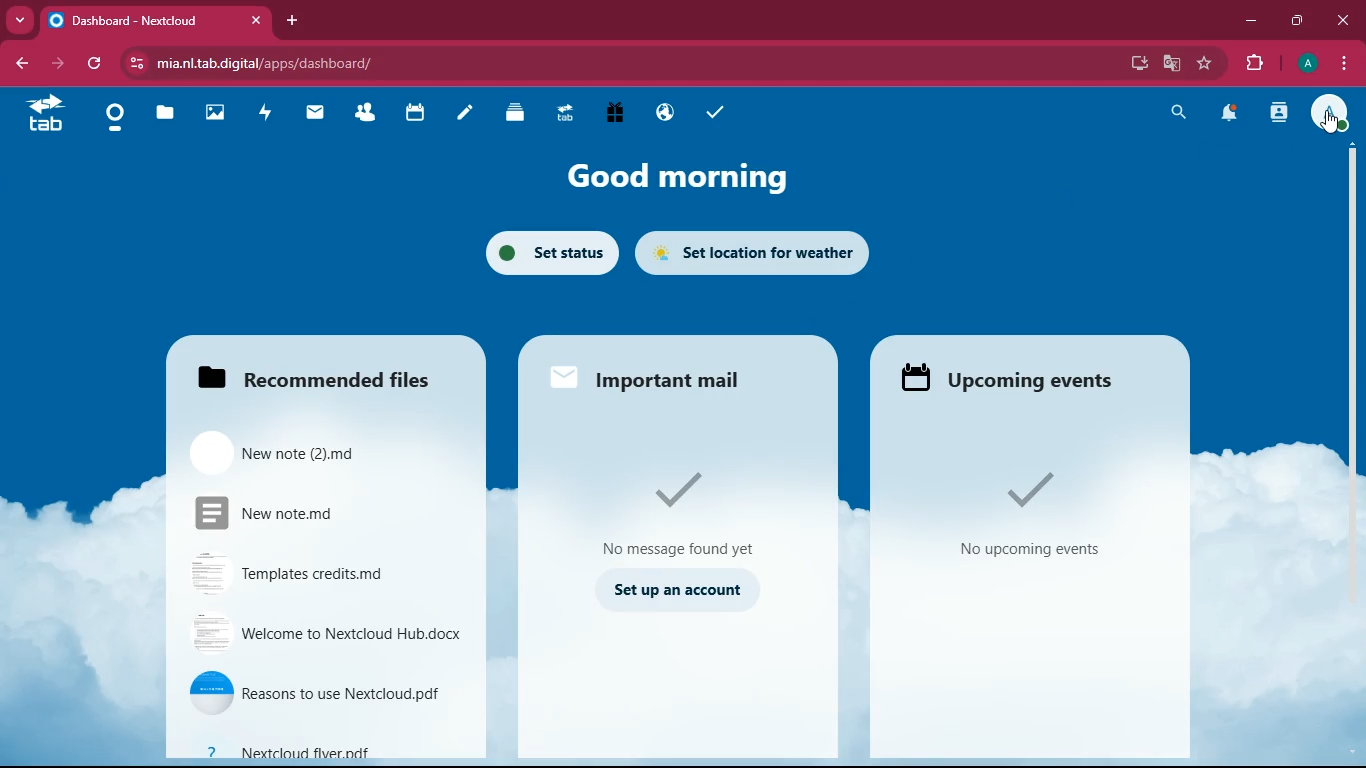 The height and width of the screenshot is (768, 1366). Describe the element at coordinates (215, 113) in the screenshot. I see `images` at that location.